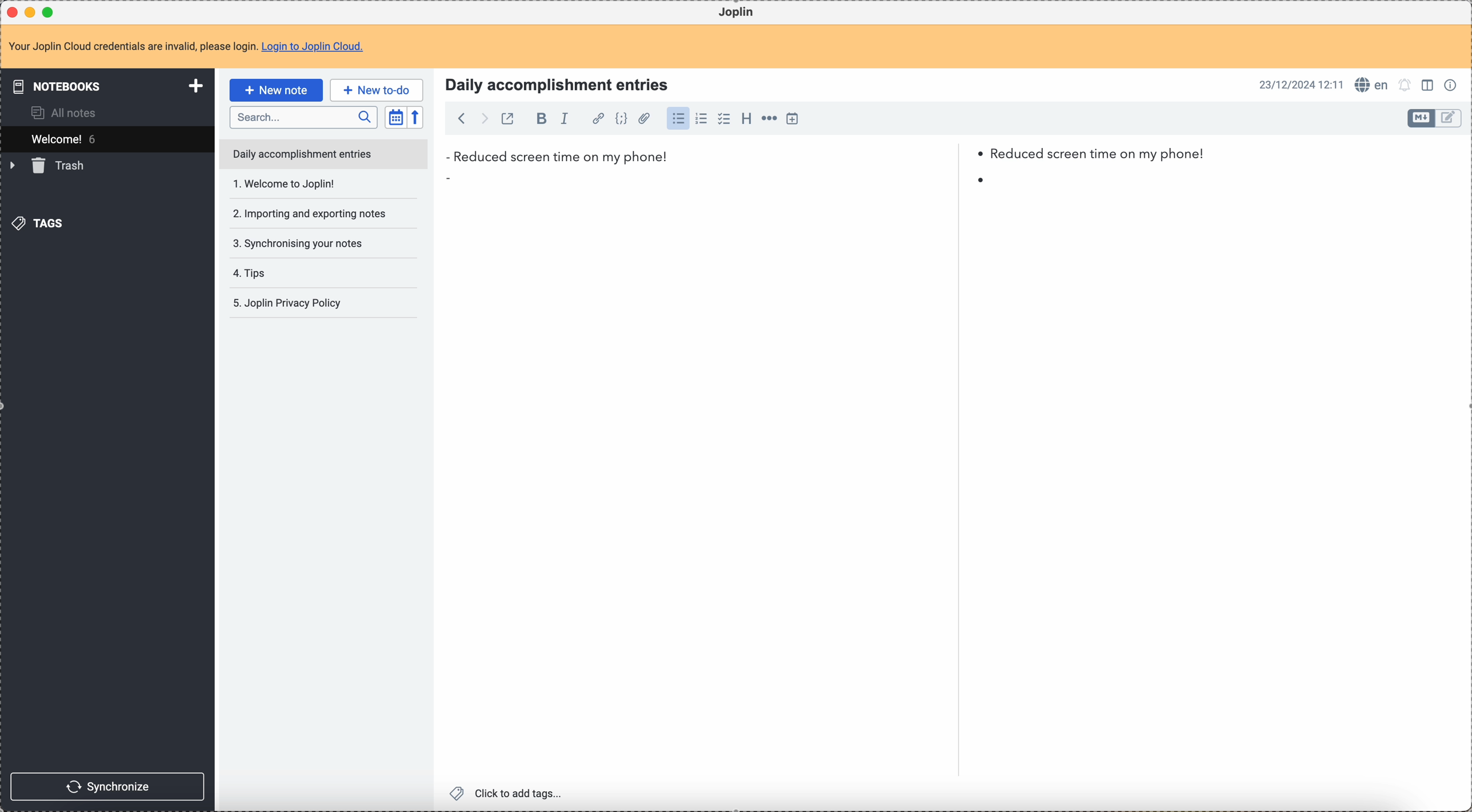 This screenshot has height=812, width=1472. I want to click on click on new note, so click(275, 90).